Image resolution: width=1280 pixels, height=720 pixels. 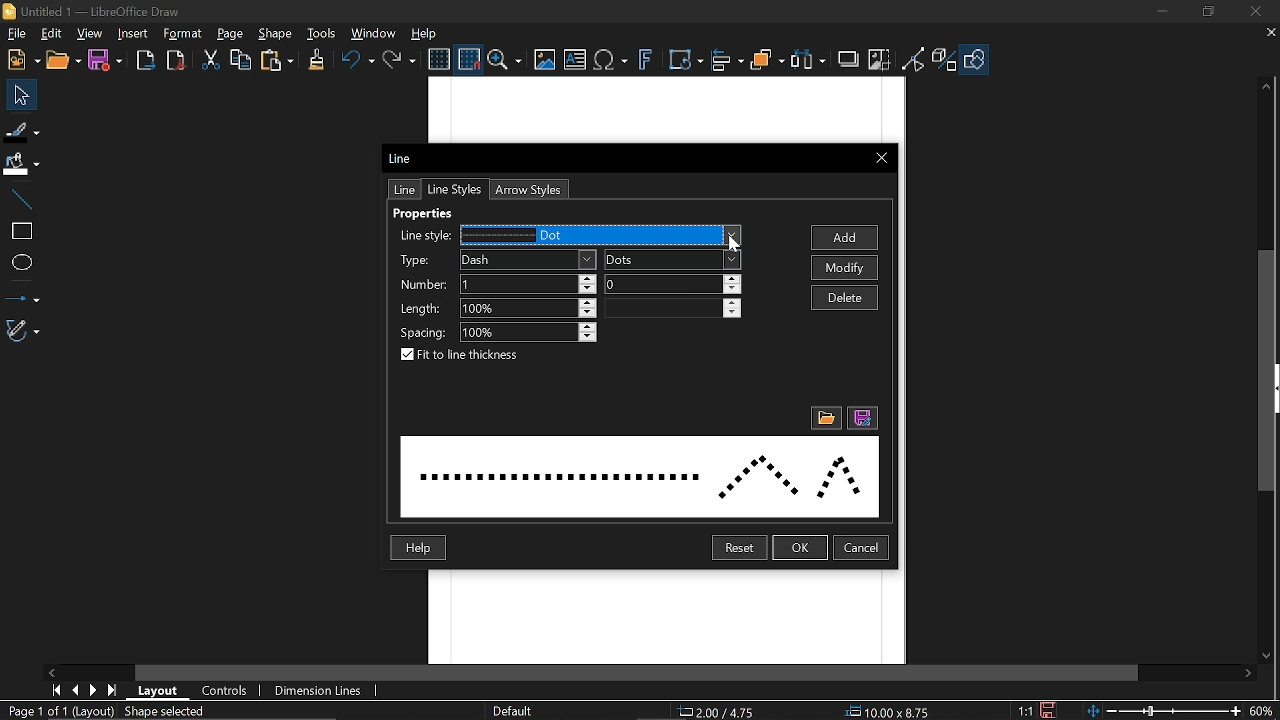 What do you see at coordinates (801, 548) in the screenshot?
I see `Ok` at bounding box center [801, 548].